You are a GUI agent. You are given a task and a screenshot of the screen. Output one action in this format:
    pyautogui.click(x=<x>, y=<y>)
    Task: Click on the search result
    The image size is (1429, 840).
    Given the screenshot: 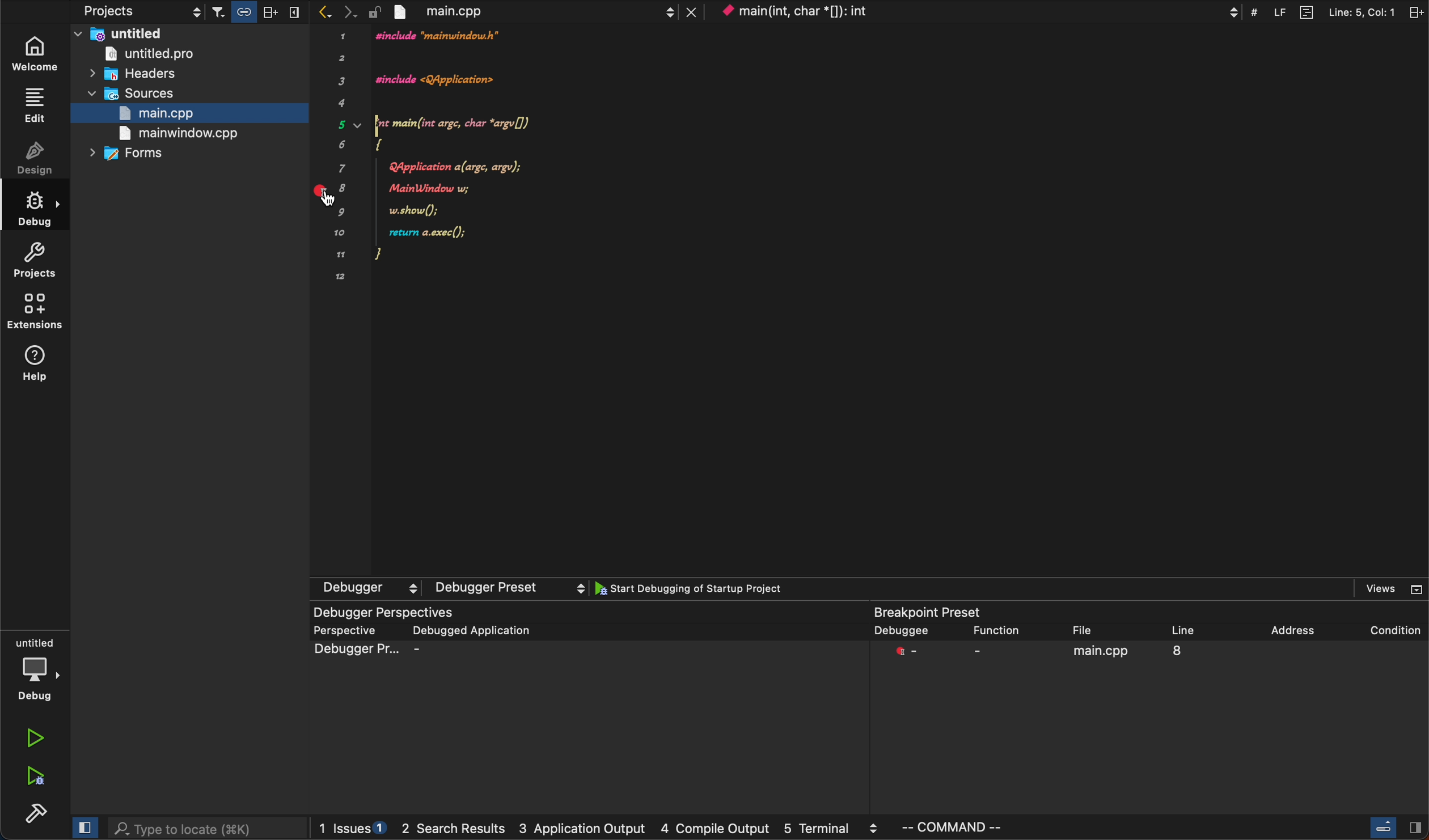 What is the action you would take?
    pyautogui.click(x=456, y=831)
    